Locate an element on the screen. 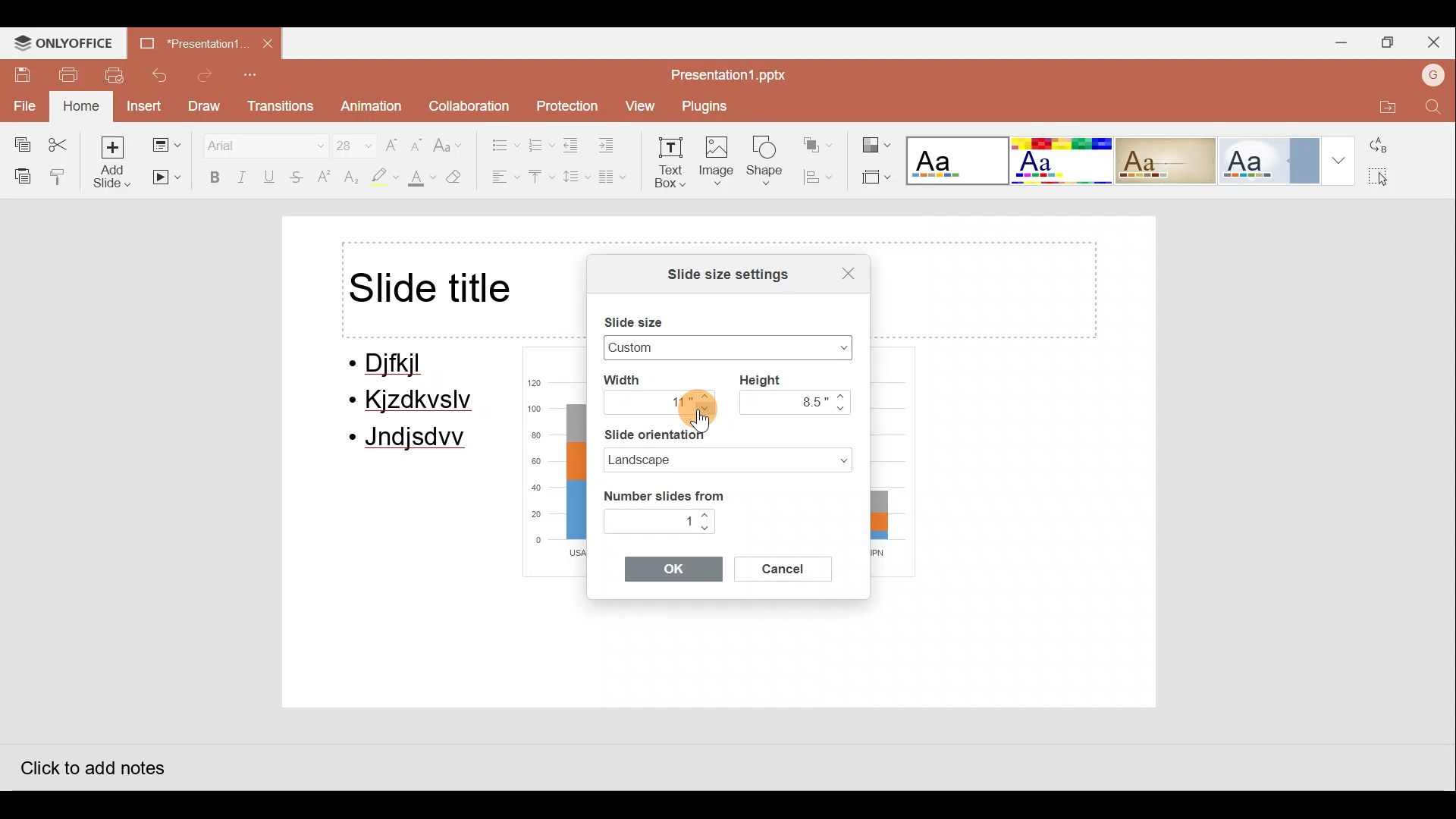  Decrease font size is located at coordinates (419, 140).